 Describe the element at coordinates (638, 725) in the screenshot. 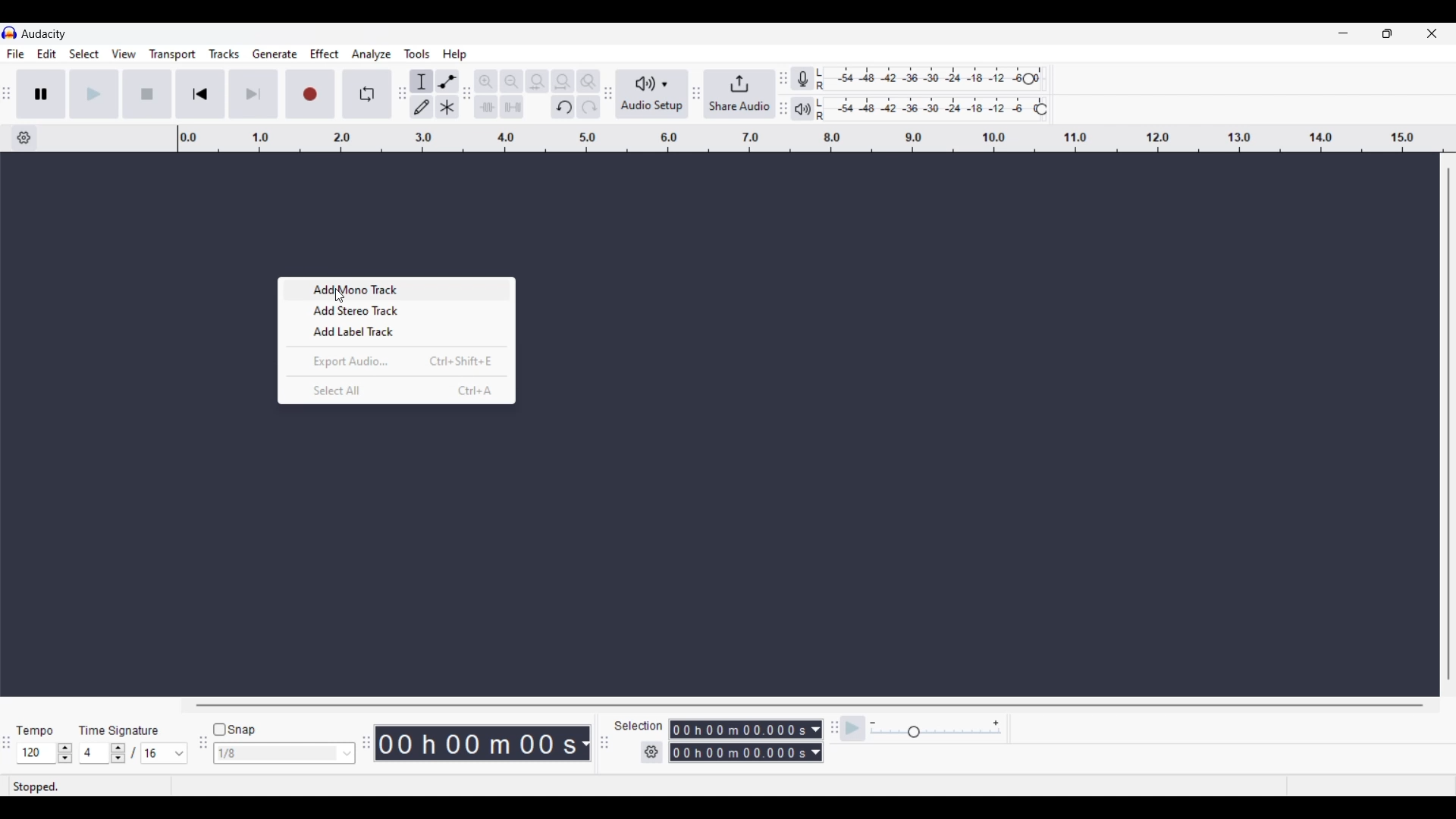

I see `Text` at that location.